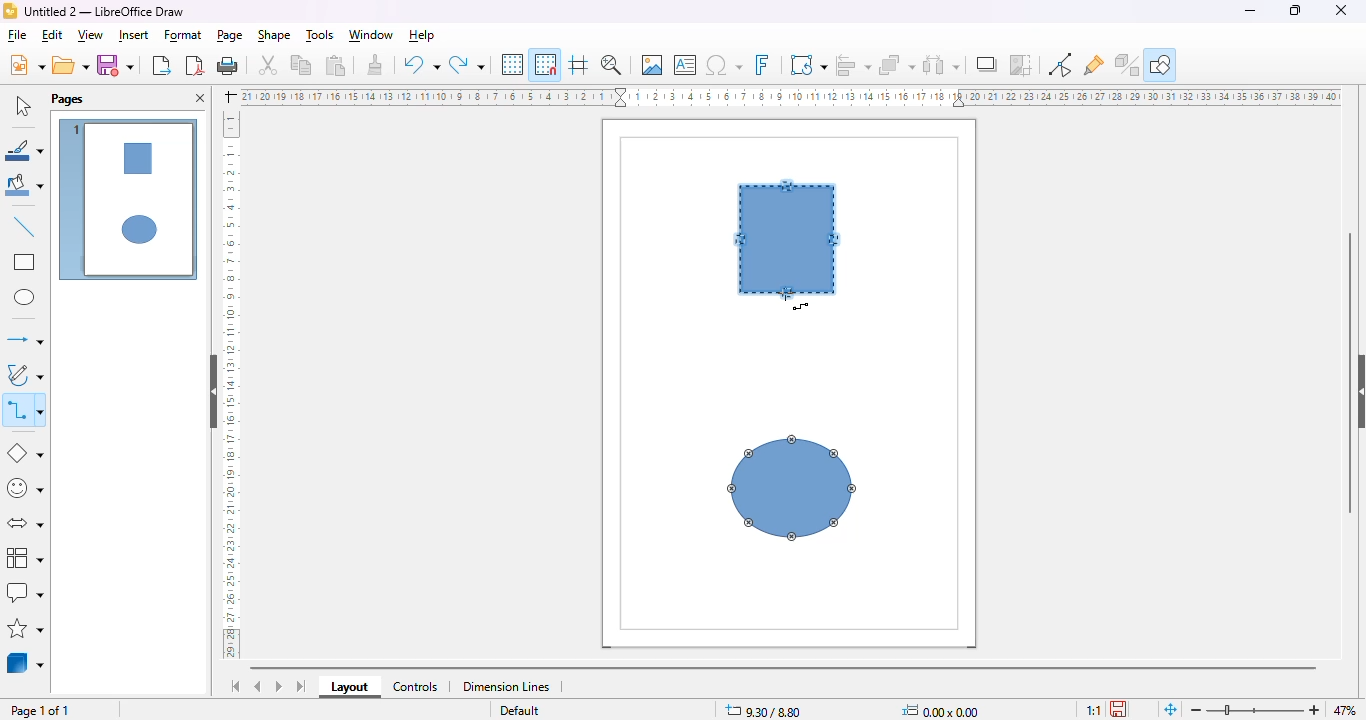 Image resolution: width=1366 pixels, height=720 pixels. What do you see at coordinates (1311, 710) in the screenshot?
I see `zoom in` at bounding box center [1311, 710].